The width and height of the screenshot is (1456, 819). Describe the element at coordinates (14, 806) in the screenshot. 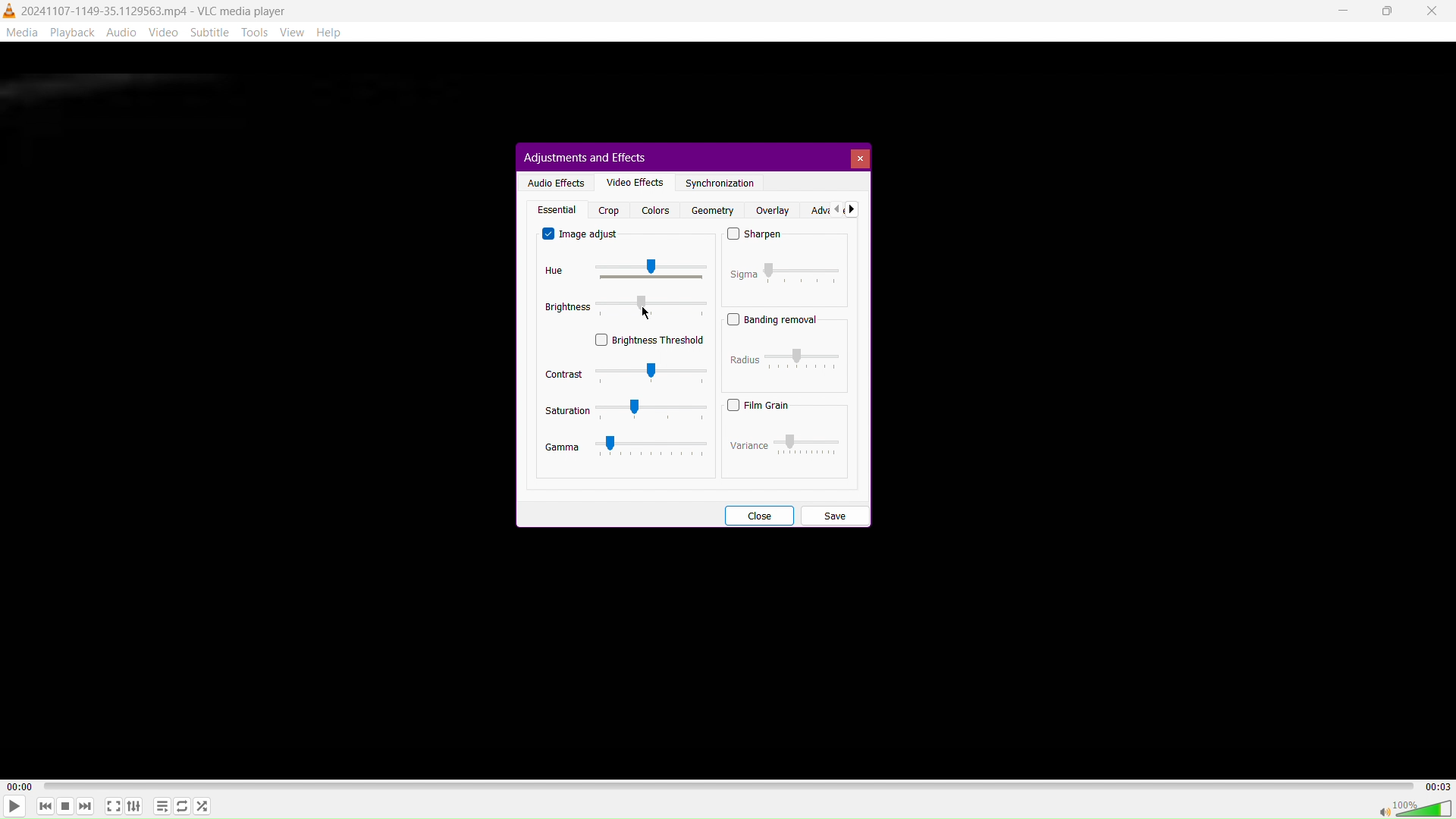

I see `Play` at that location.